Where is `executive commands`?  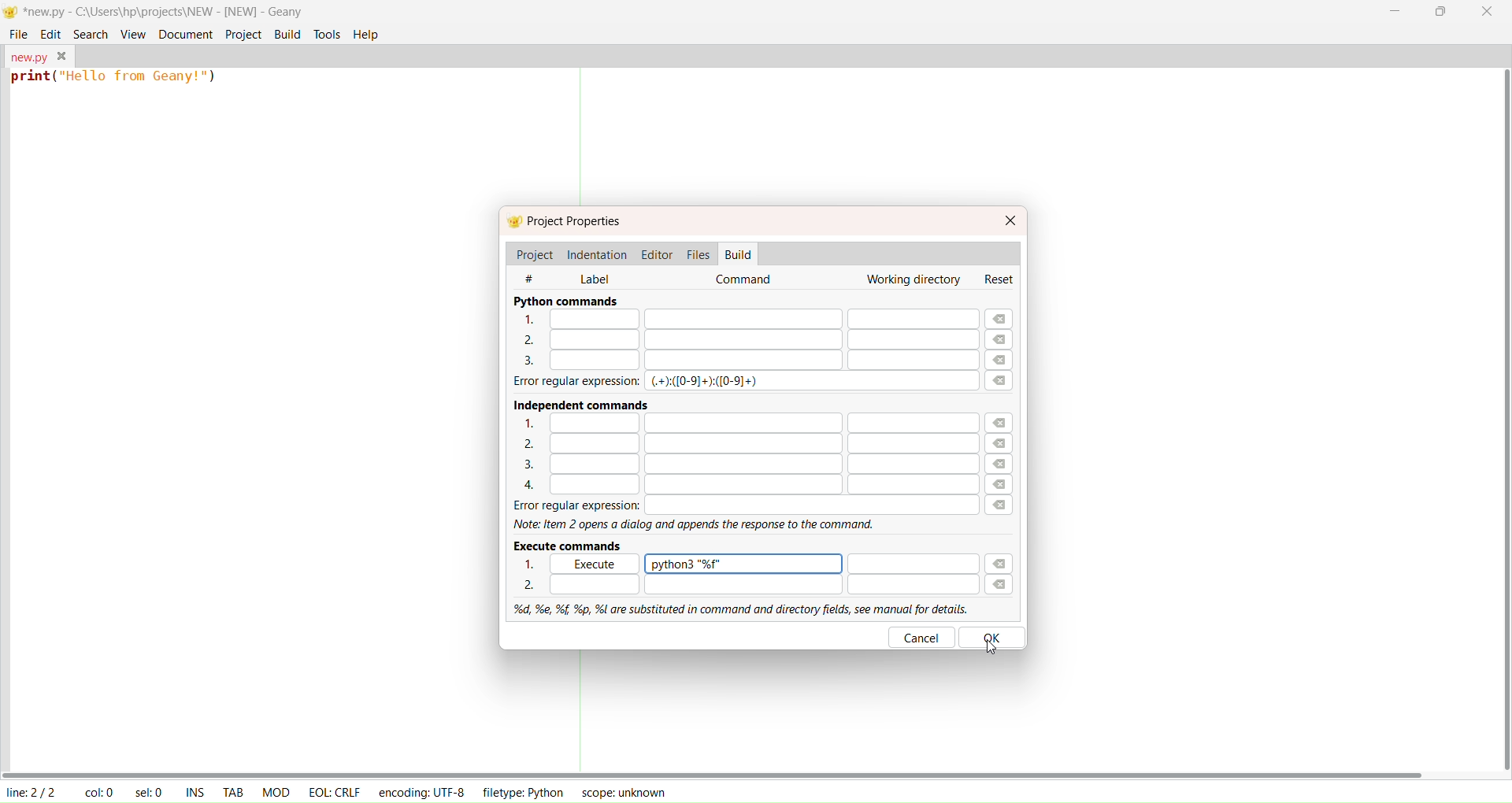
executive commands is located at coordinates (572, 545).